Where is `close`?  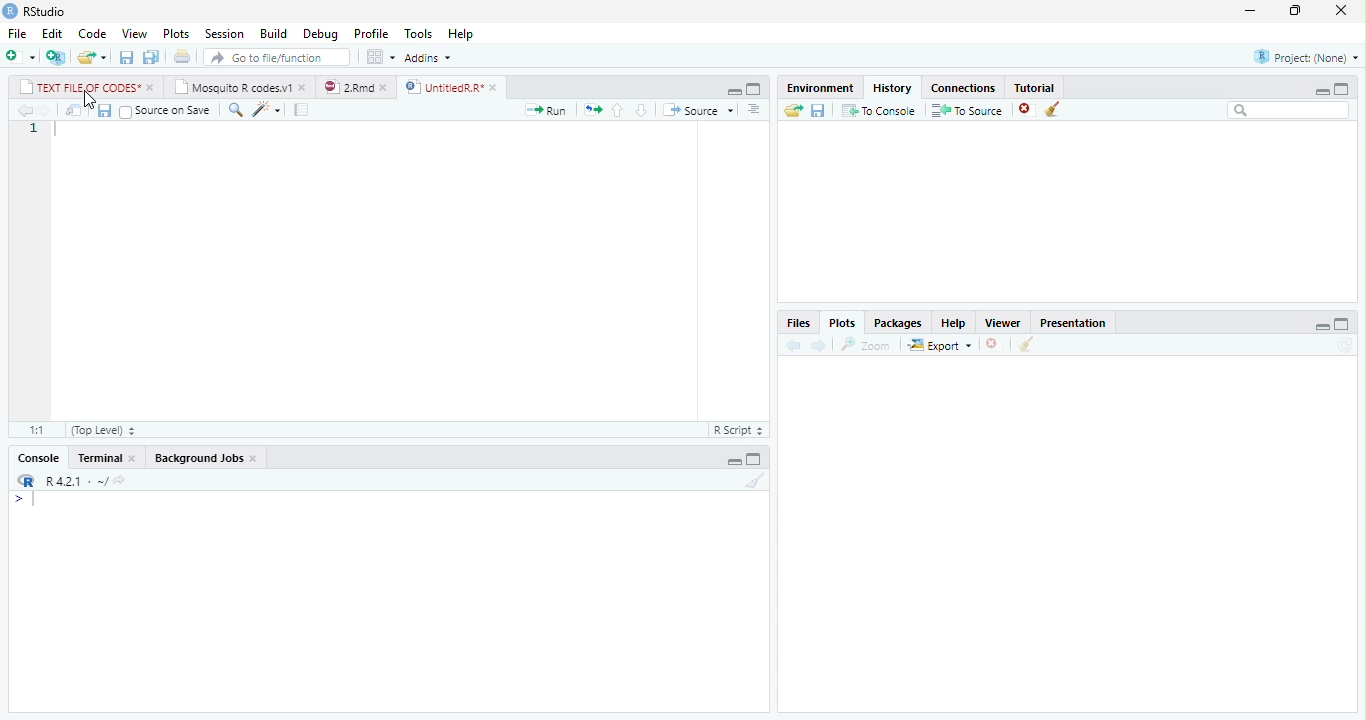 close is located at coordinates (496, 87).